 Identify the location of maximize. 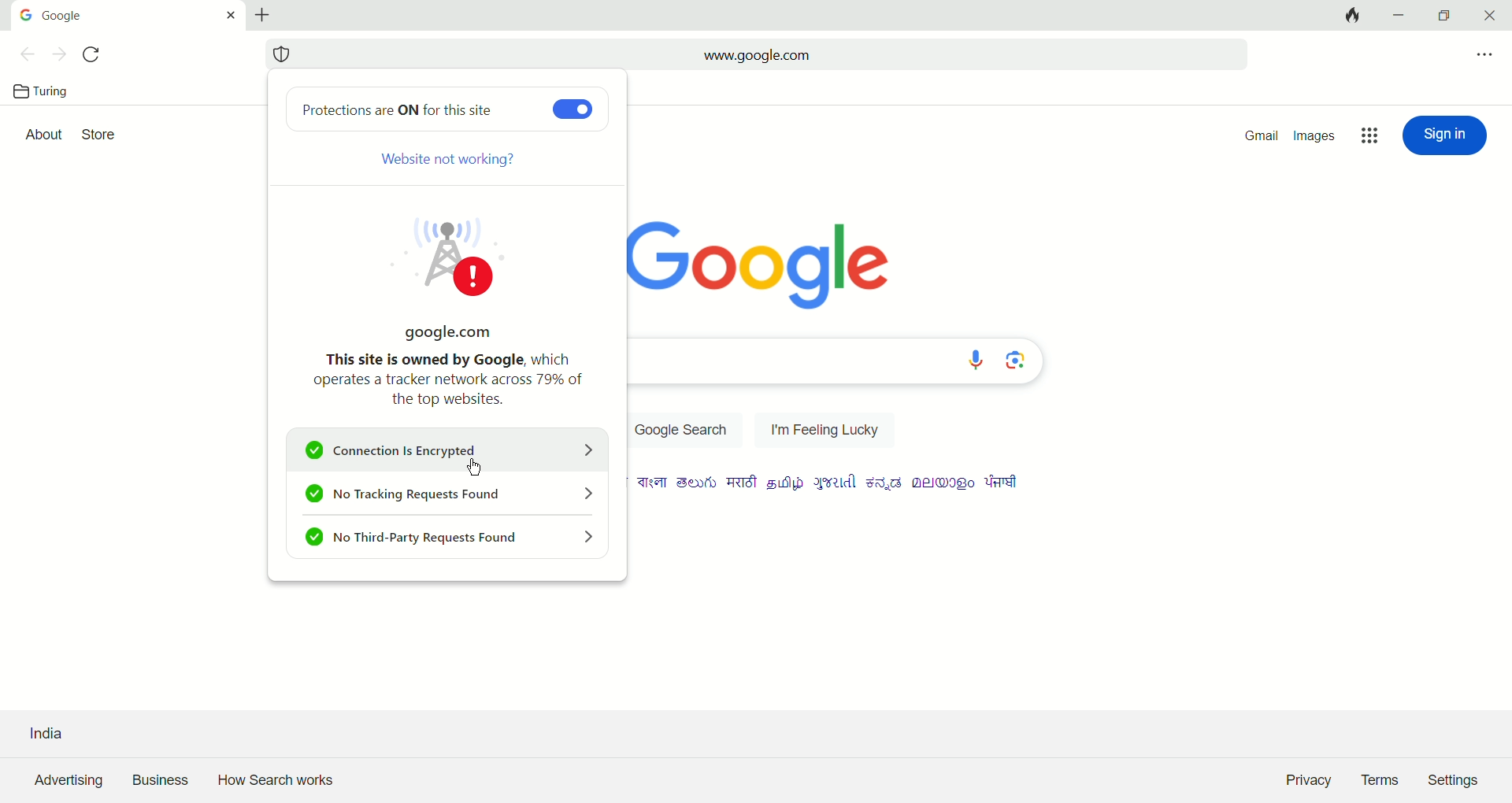
(1448, 17).